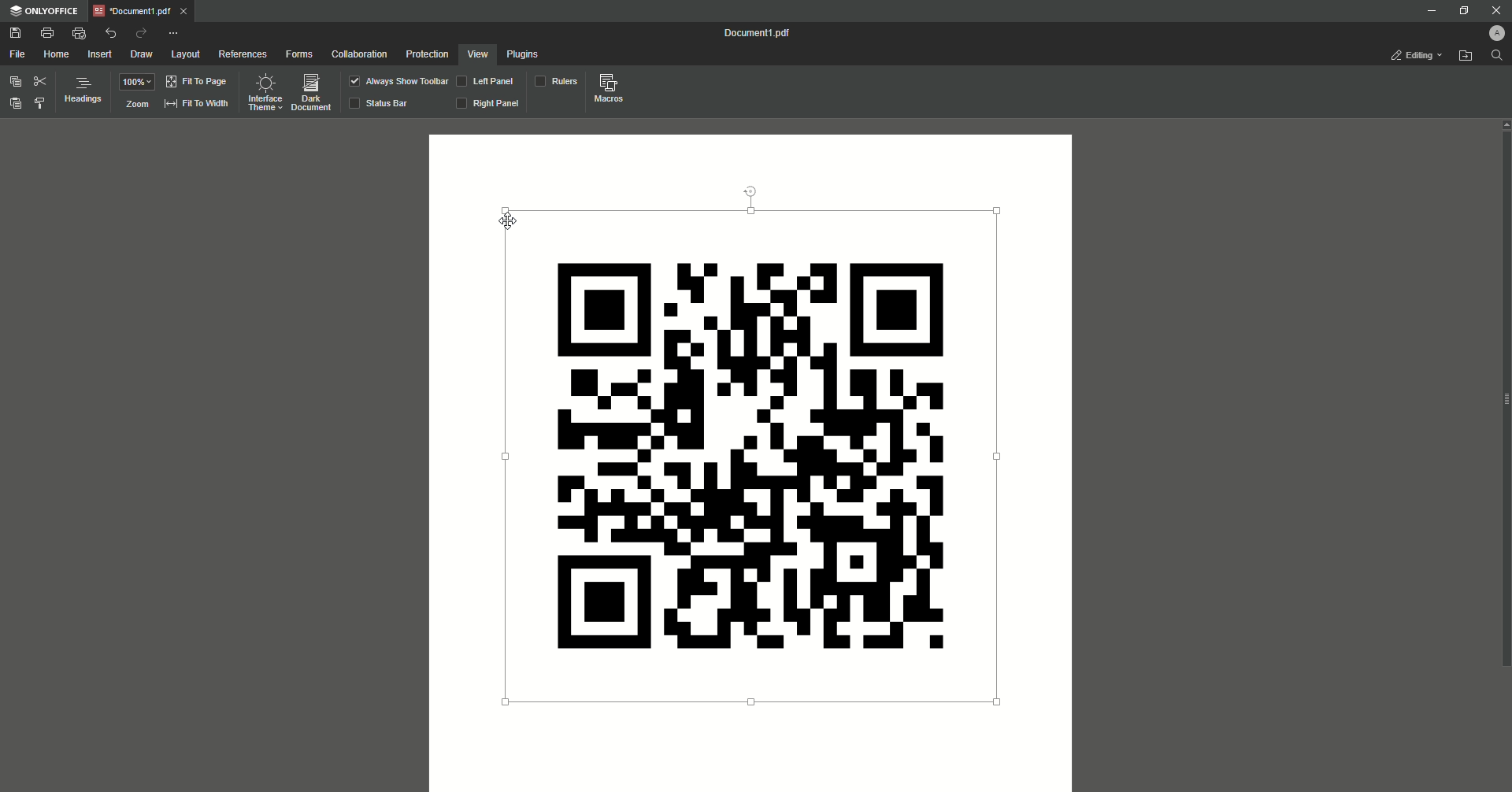 This screenshot has width=1512, height=792. What do you see at coordinates (1497, 12) in the screenshot?
I see `Close` at bounding box center [1497, 12].